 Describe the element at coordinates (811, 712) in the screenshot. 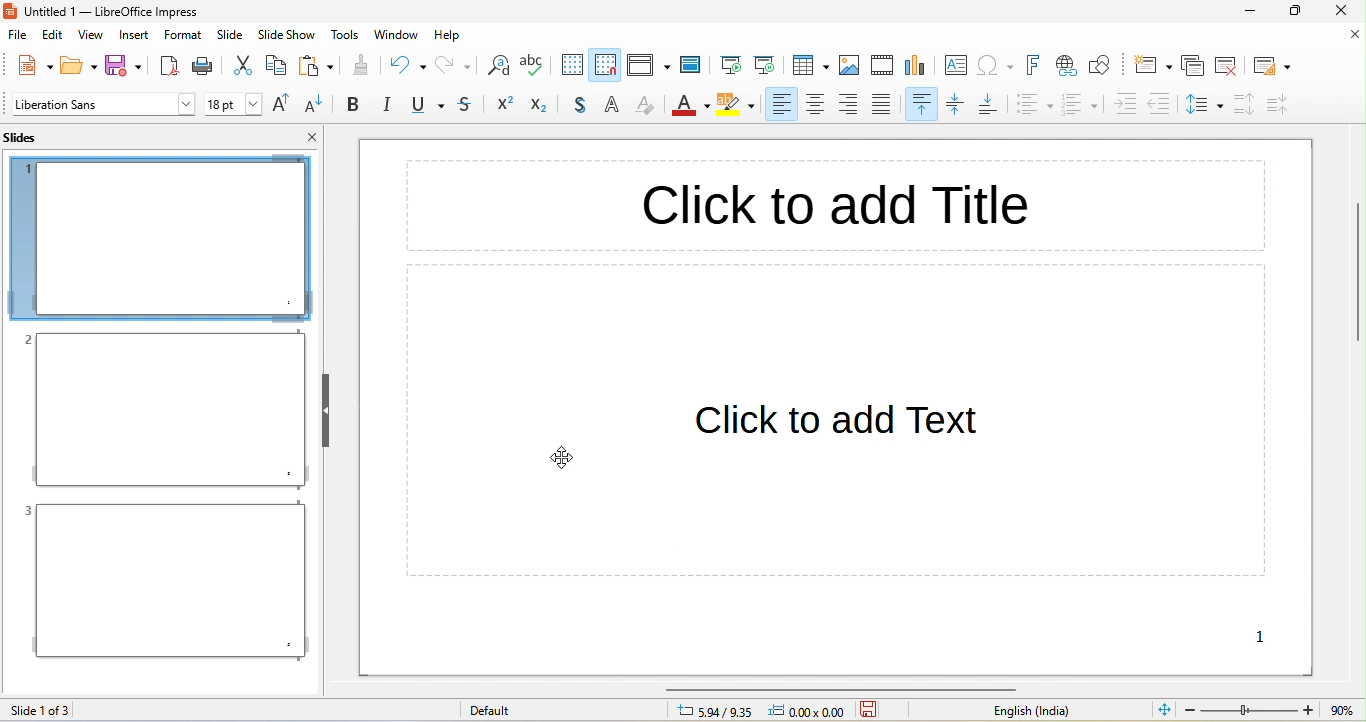

I see `0.00x0.00` at that location.